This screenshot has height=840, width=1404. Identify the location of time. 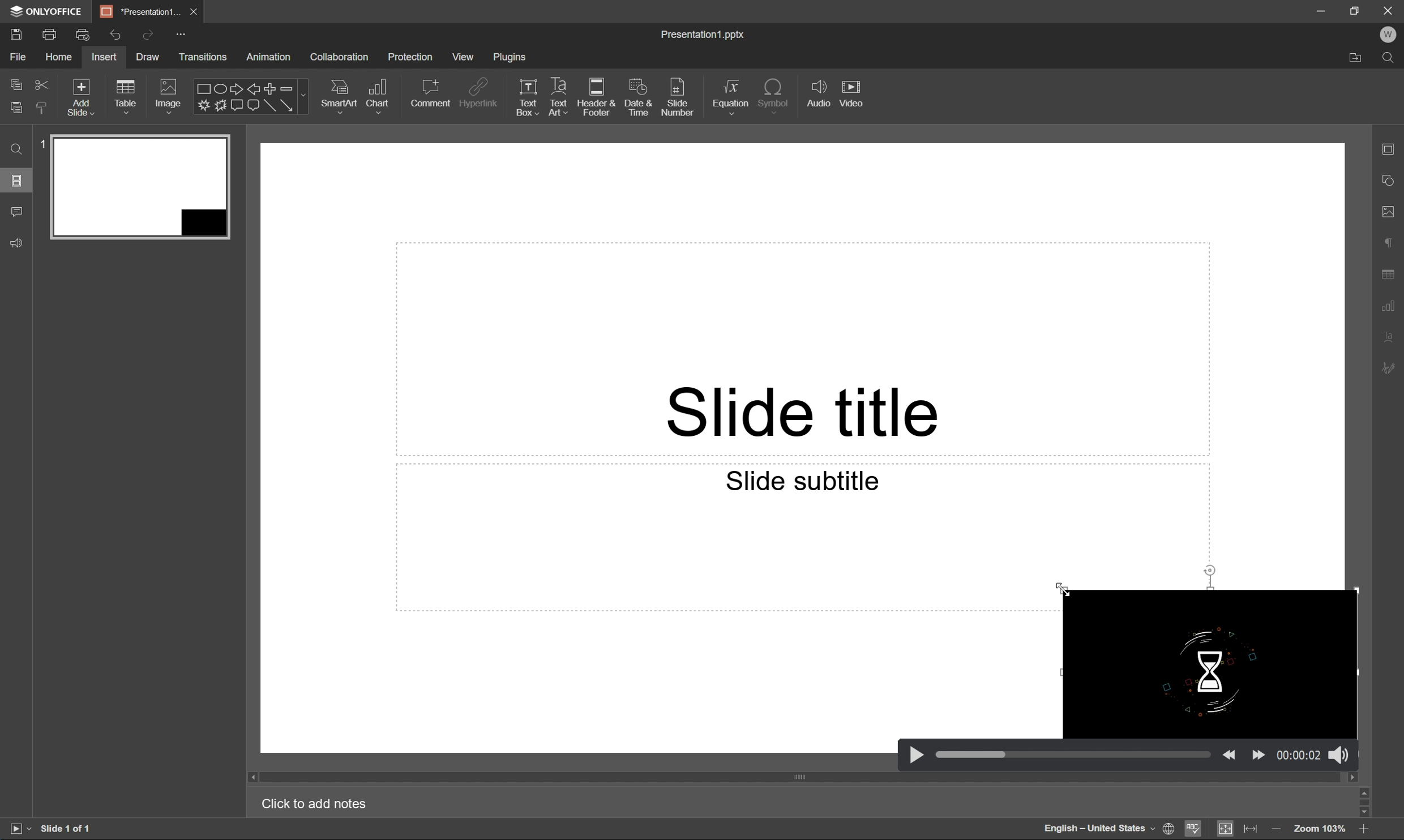
(1299, 755).